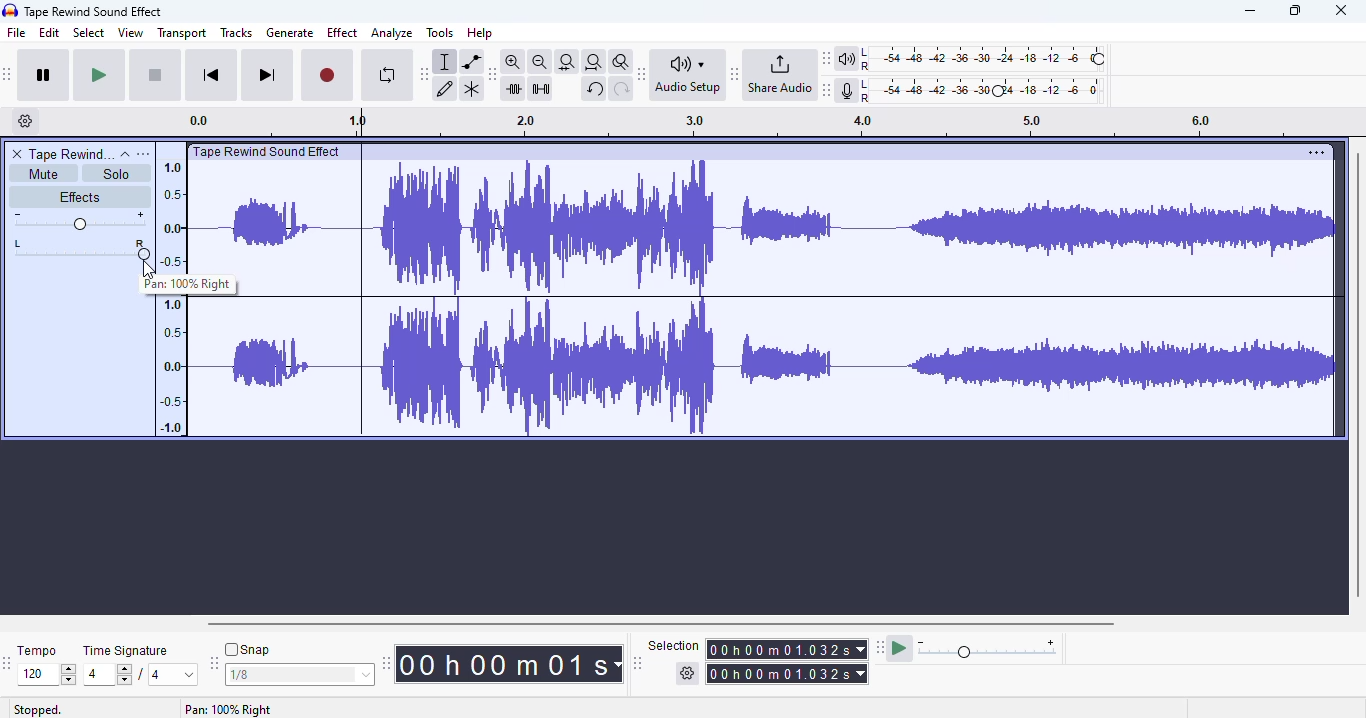  Describe the element at coordinates (170, 296) in the screenshot. I see `timeline` at that location.